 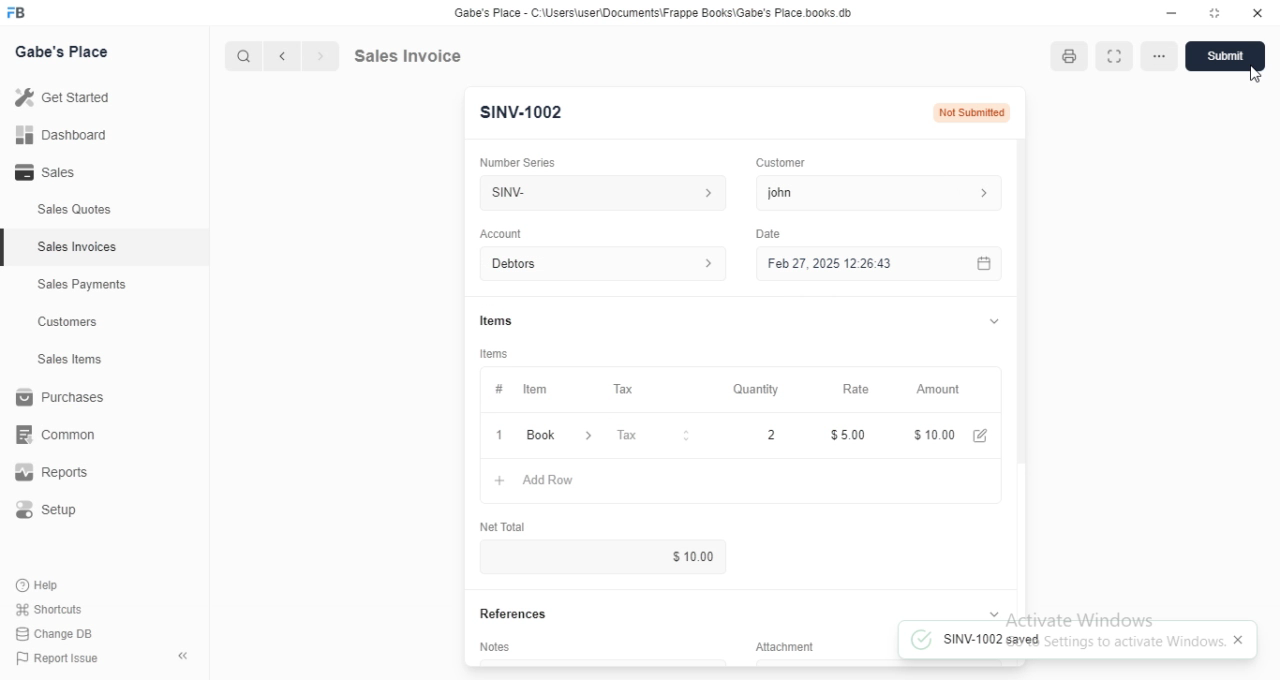 I want to click on SINV-1002 saved, so click(x=976, y=638).